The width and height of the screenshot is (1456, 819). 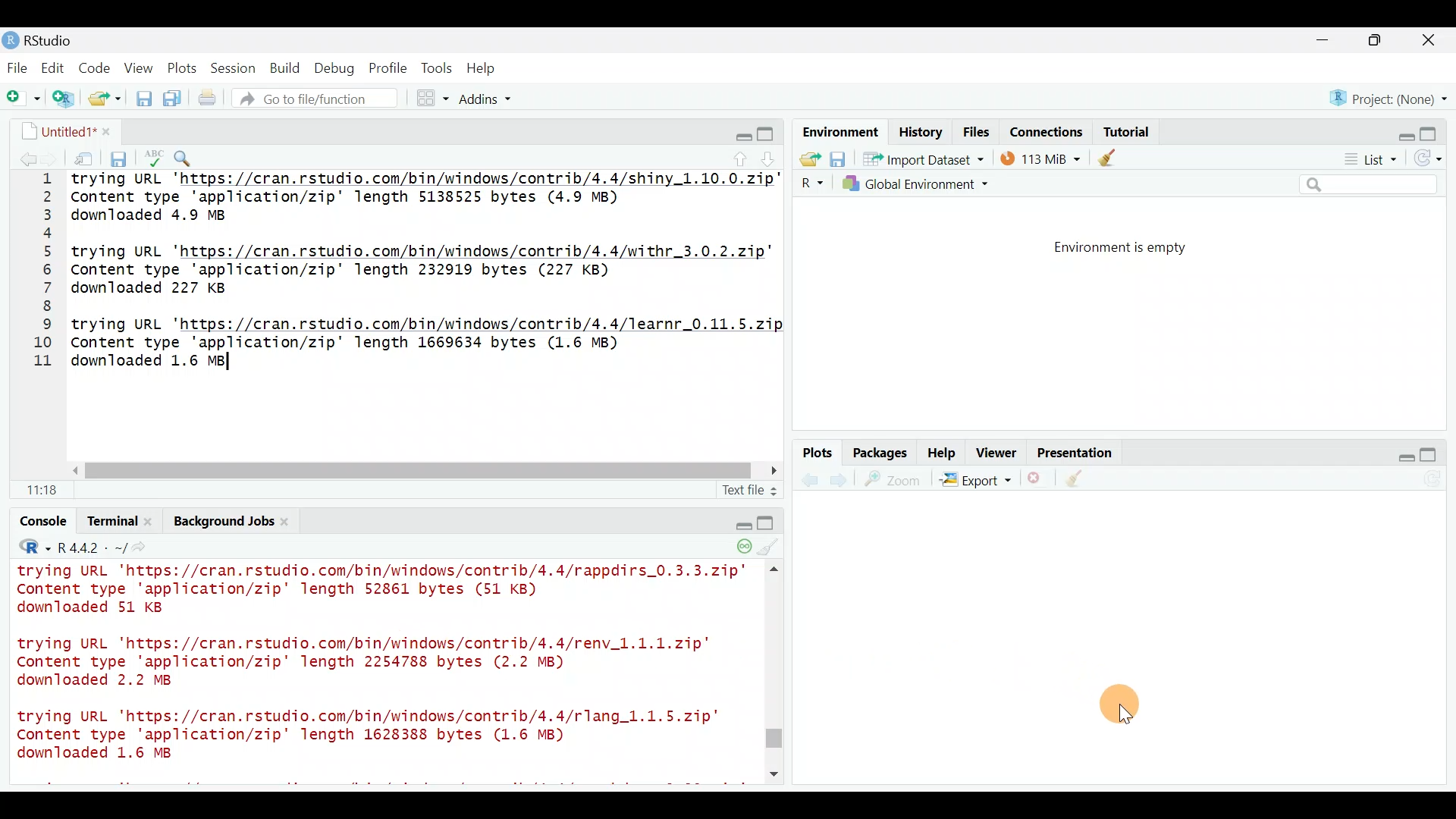 I want to click on Save current document, so click(x=144, y=99).